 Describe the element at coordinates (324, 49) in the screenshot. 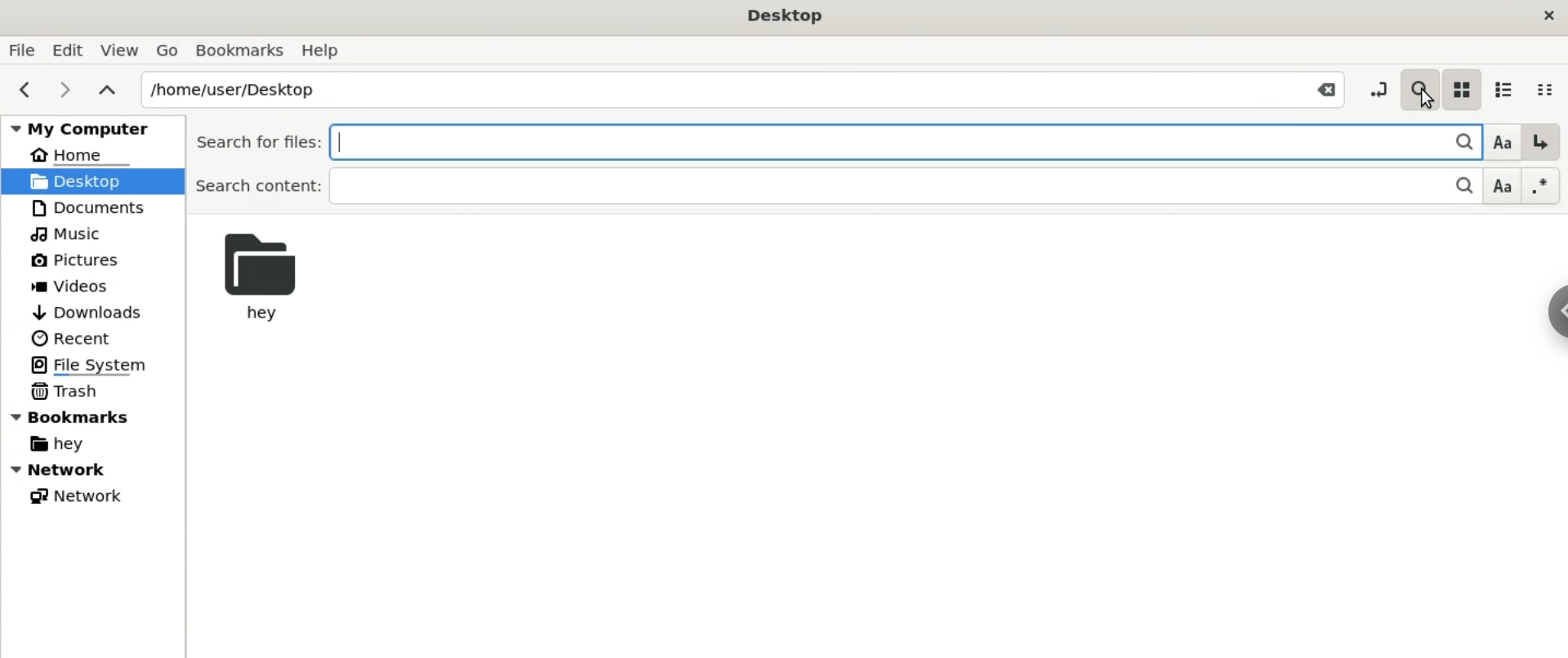

I see `Help` at that location.